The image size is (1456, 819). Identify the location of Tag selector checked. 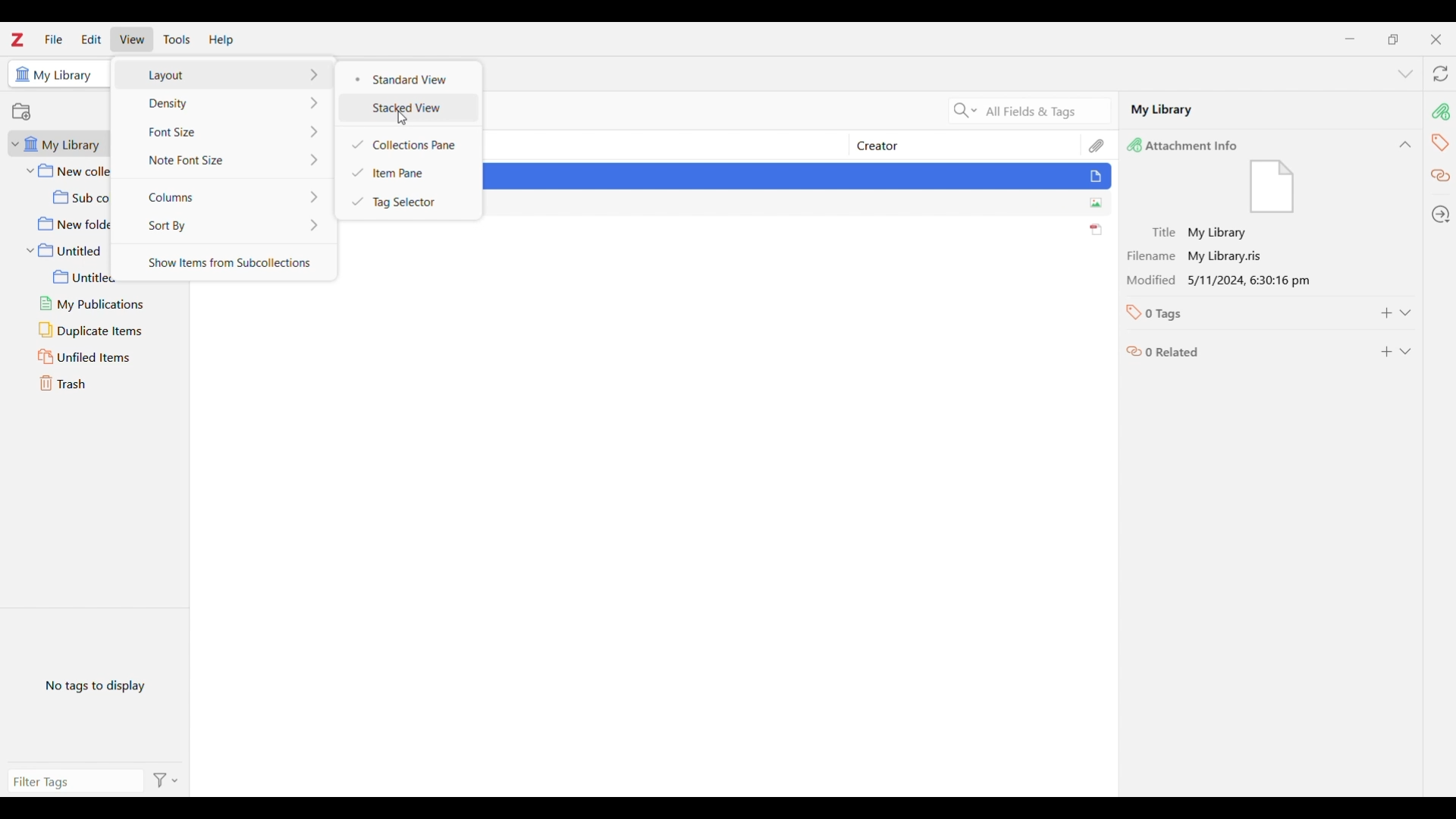
(407, 202).